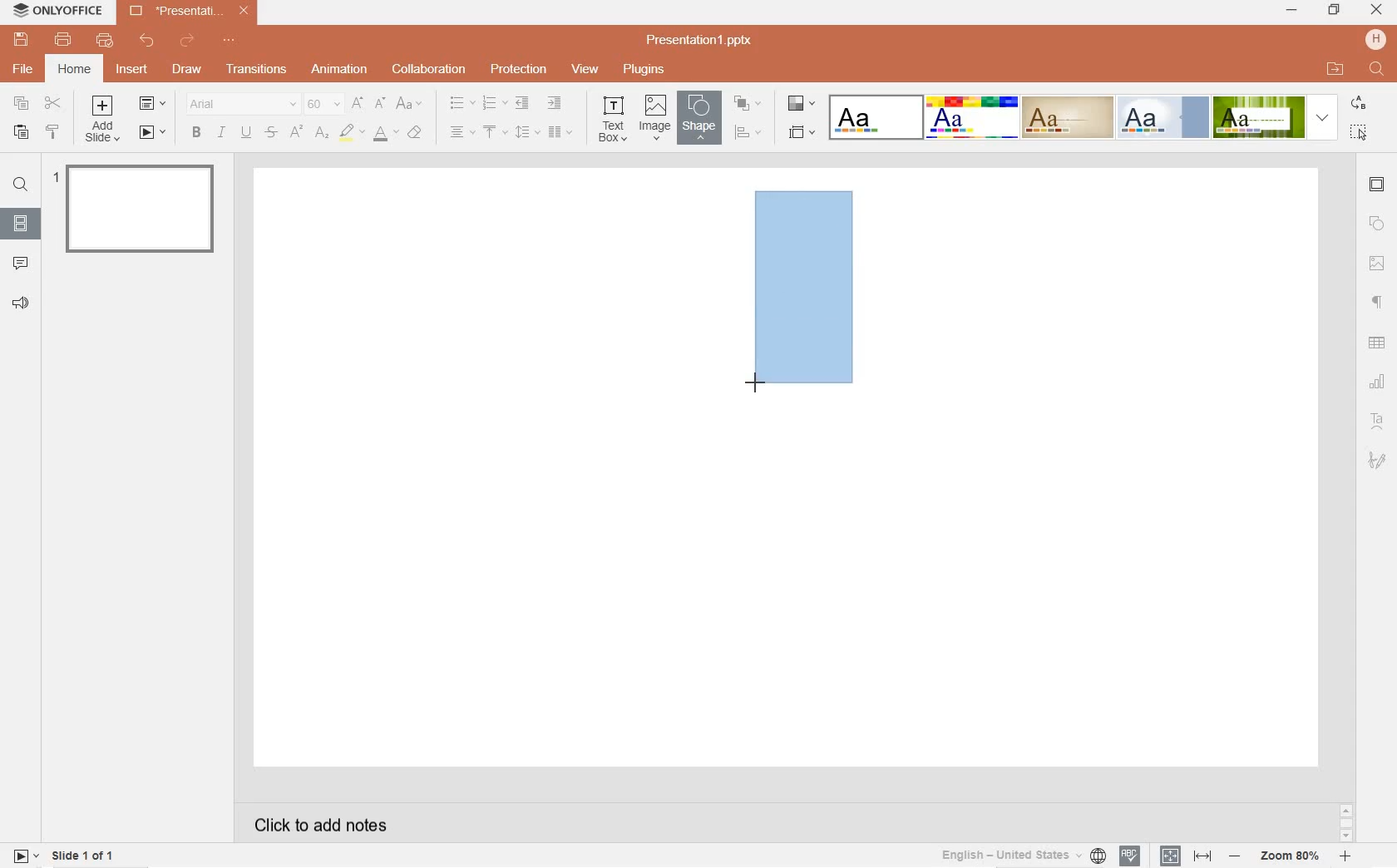 The height and width of the screenshot is (868, 1397). Describe the element at coordinates (147, 41) in the screenshot. I see `undo` at that location.